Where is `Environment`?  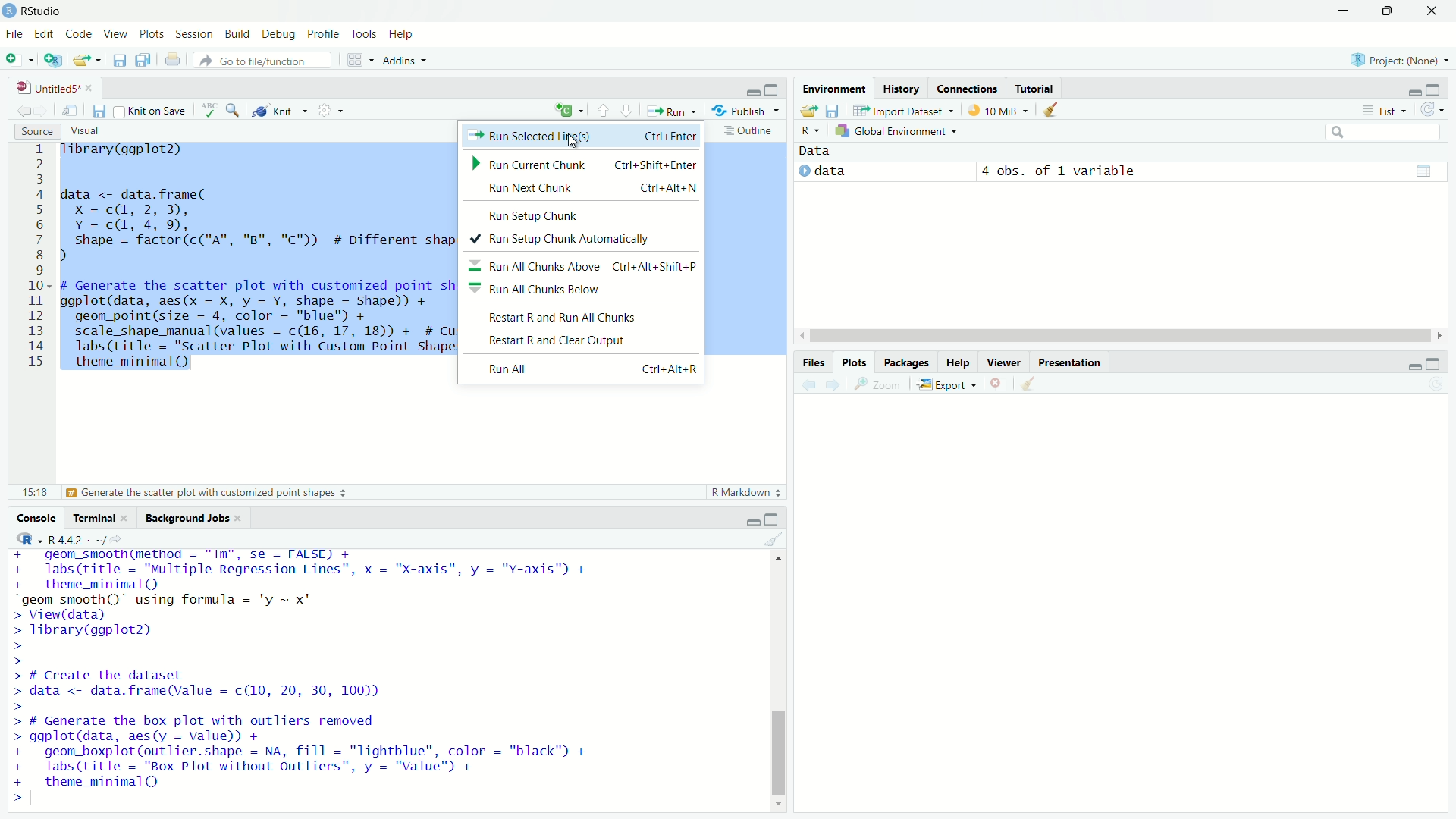
Environment is located at coordinates (834, 89).